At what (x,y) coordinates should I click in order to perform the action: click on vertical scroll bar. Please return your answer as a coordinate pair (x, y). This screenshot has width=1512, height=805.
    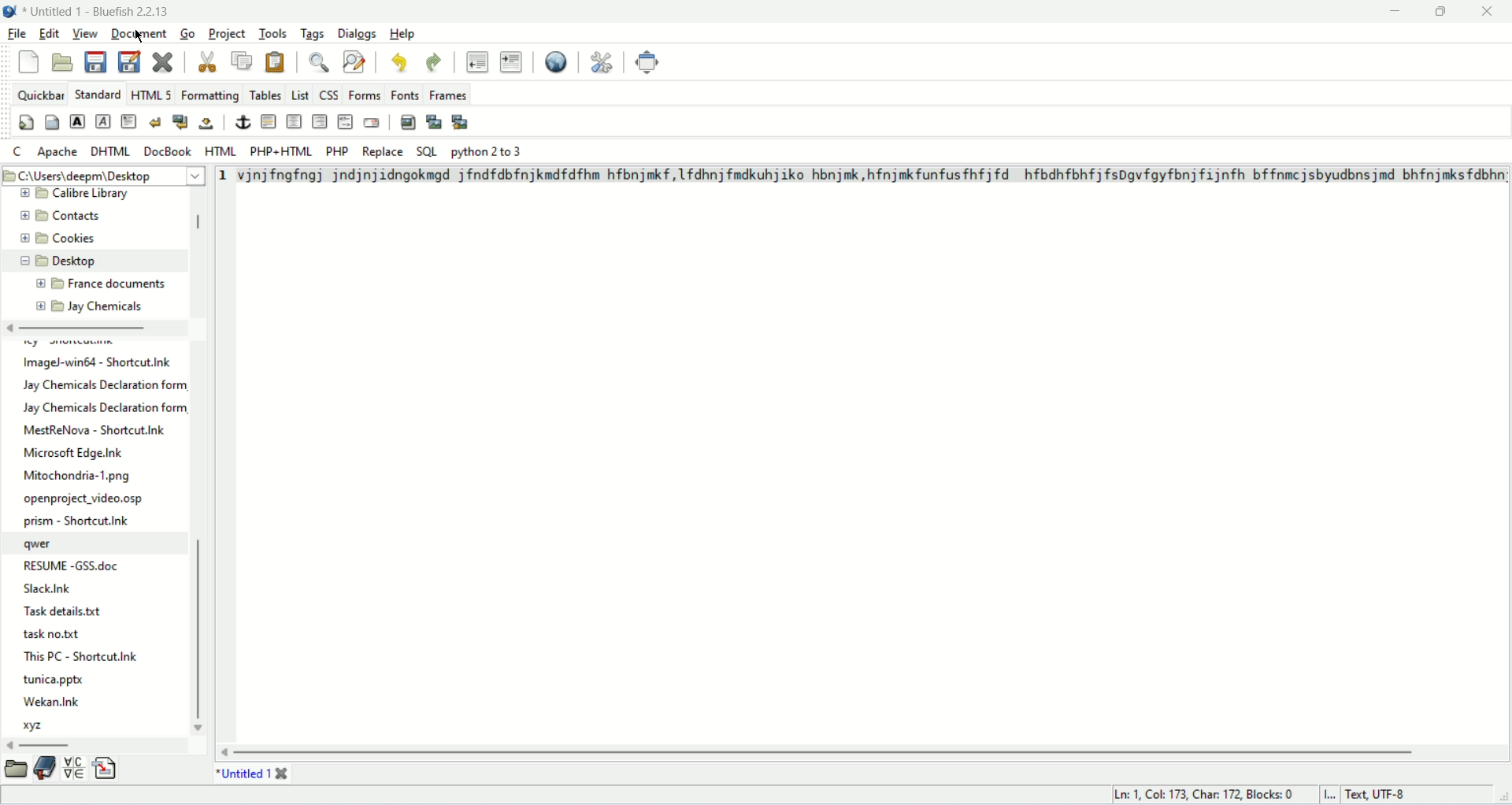
    Looking at the image, I should click on (198, 225).